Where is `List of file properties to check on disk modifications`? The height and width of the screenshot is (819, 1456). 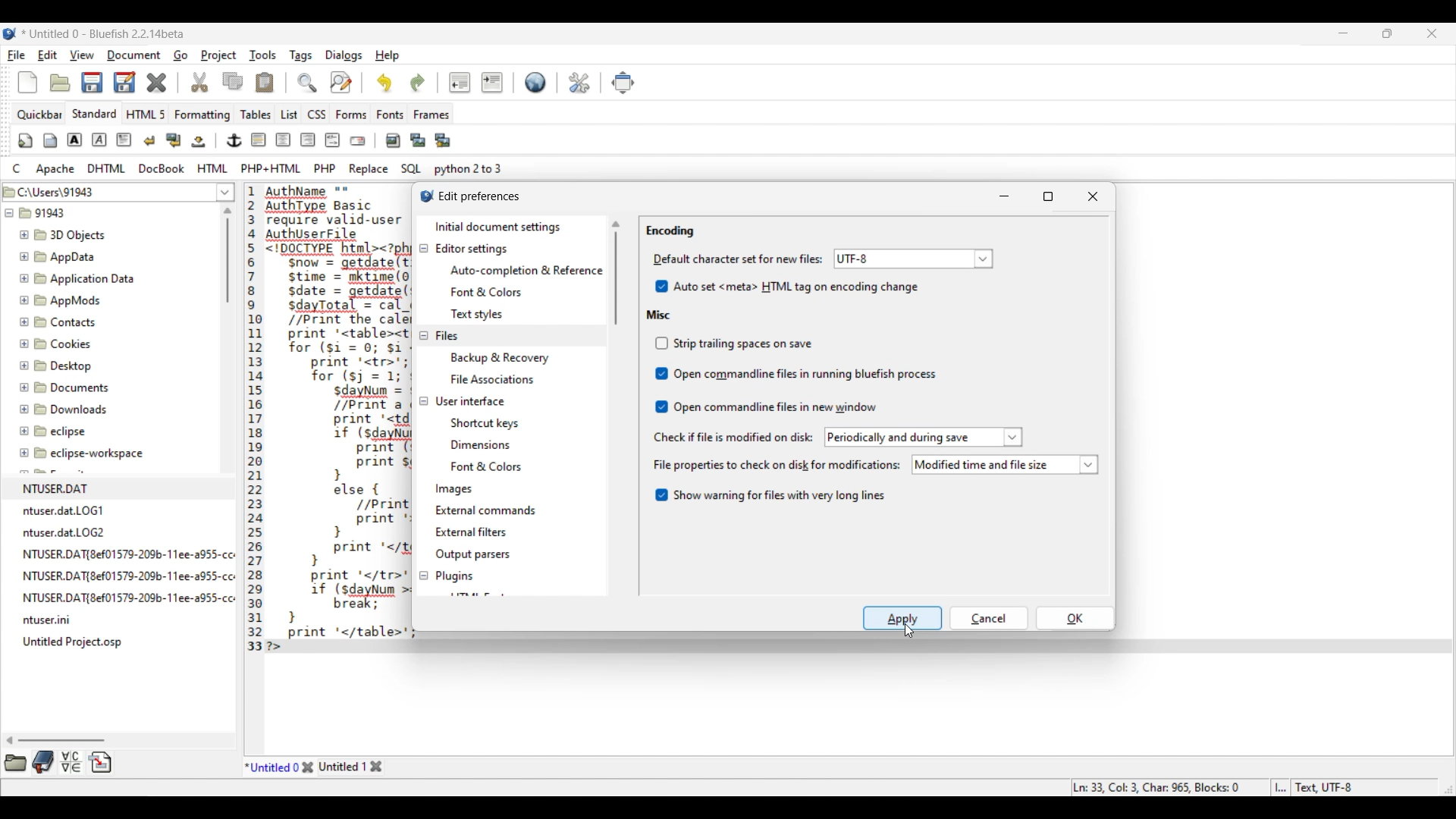
List of file properties to check on disk modifications is located at coordinates (1004, 465).